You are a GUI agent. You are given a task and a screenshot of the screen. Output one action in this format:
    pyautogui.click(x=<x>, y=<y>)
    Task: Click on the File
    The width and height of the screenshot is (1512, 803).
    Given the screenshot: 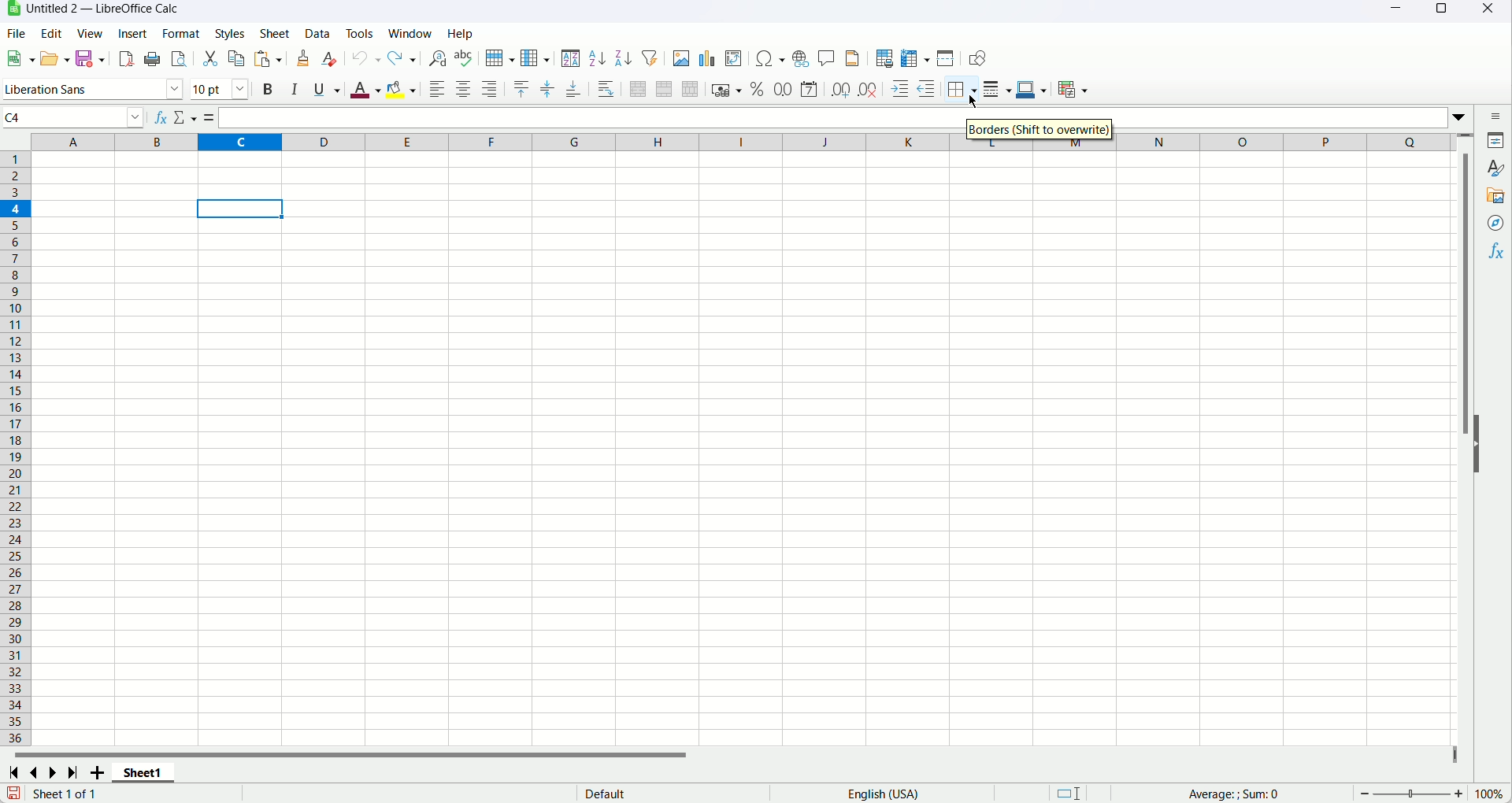 What is the action you would take?
    pyautogui.click(x=15, y=33)
    